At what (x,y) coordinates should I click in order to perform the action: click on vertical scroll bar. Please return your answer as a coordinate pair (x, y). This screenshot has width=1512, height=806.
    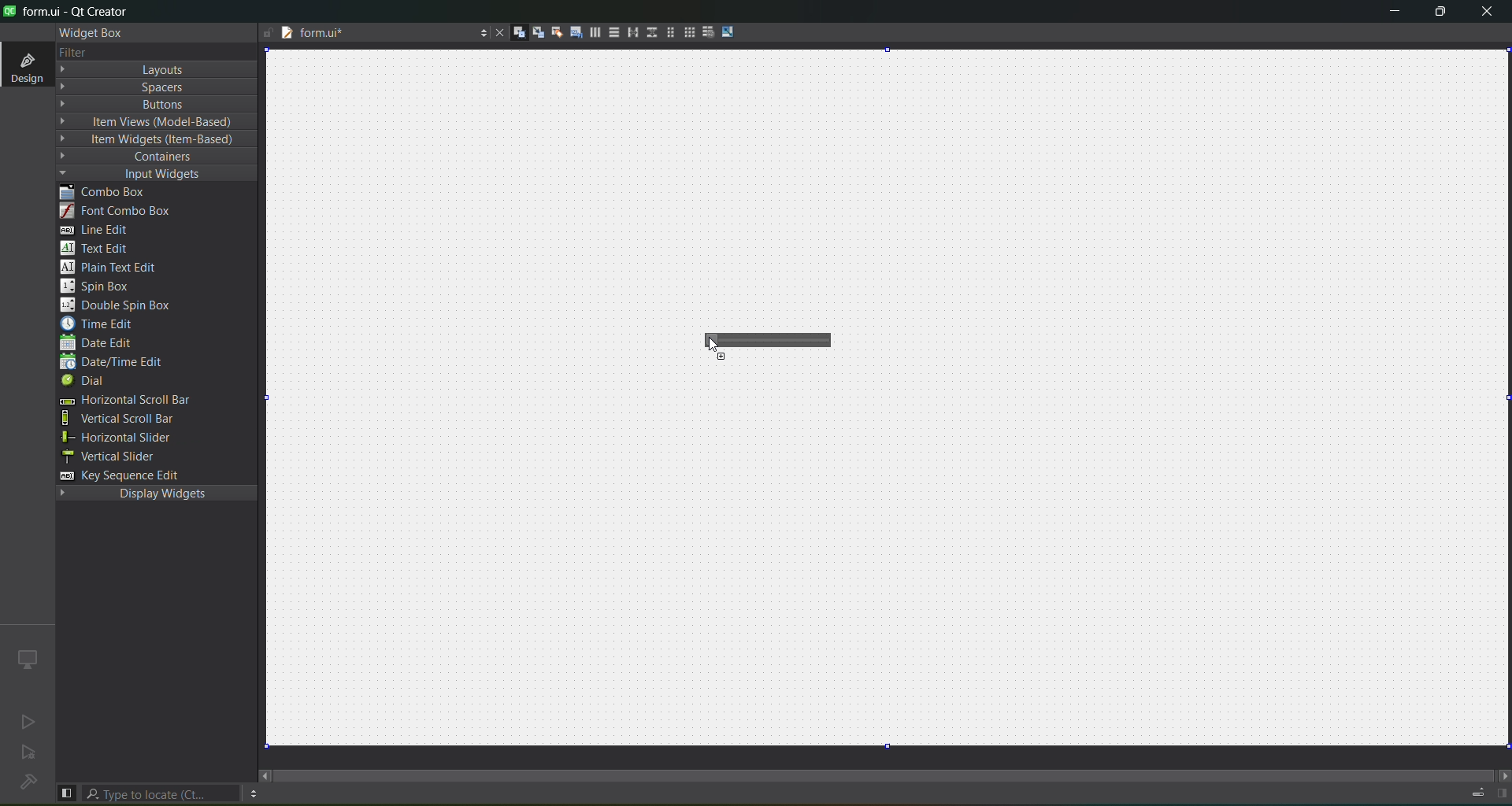
    Looking at the image, I should click on (125, 421).